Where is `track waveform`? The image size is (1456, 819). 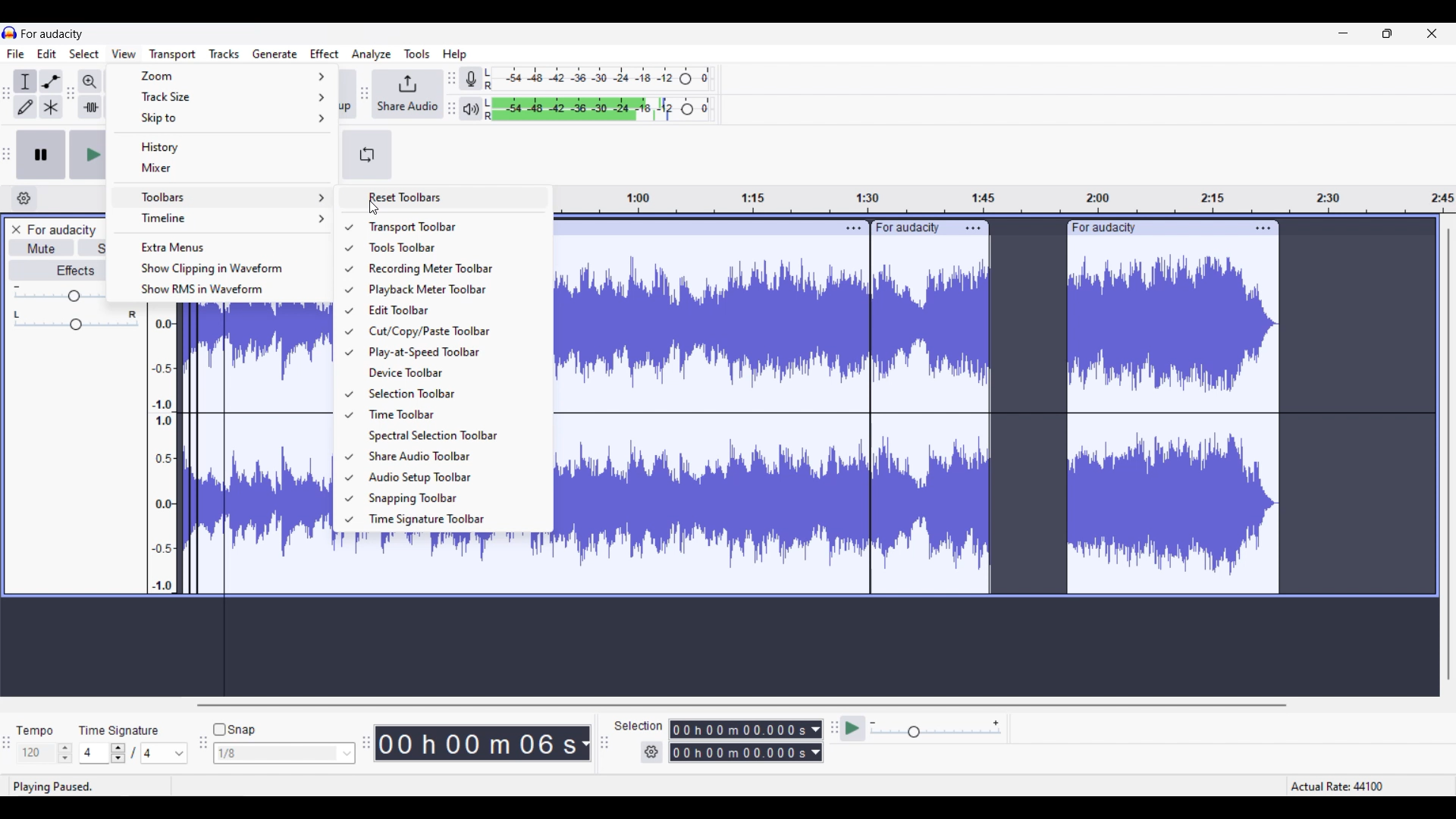
track waveform is located at coordinates (255, 448).